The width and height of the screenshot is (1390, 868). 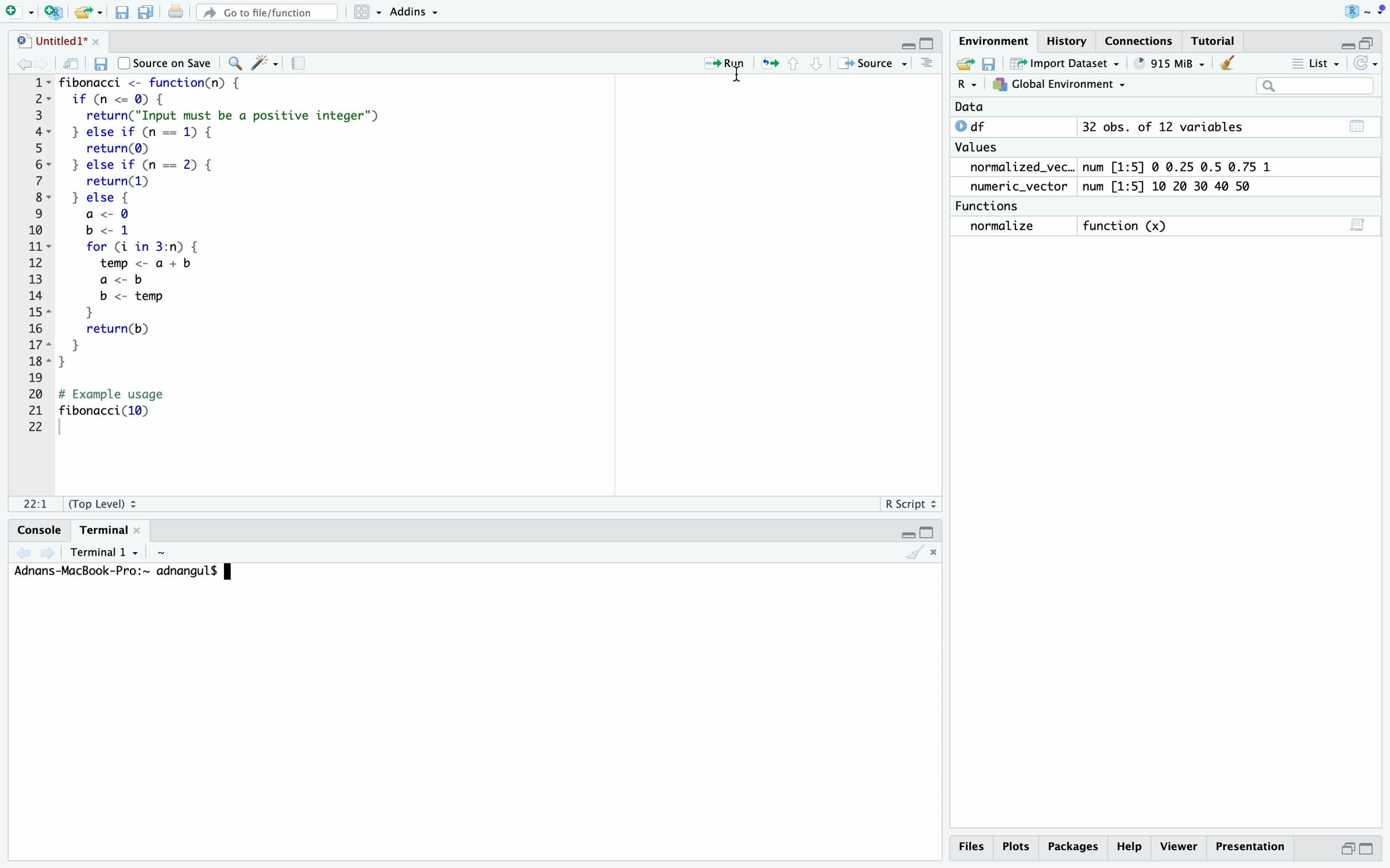 I want to click on find/replace, so click(x=234, y=64).